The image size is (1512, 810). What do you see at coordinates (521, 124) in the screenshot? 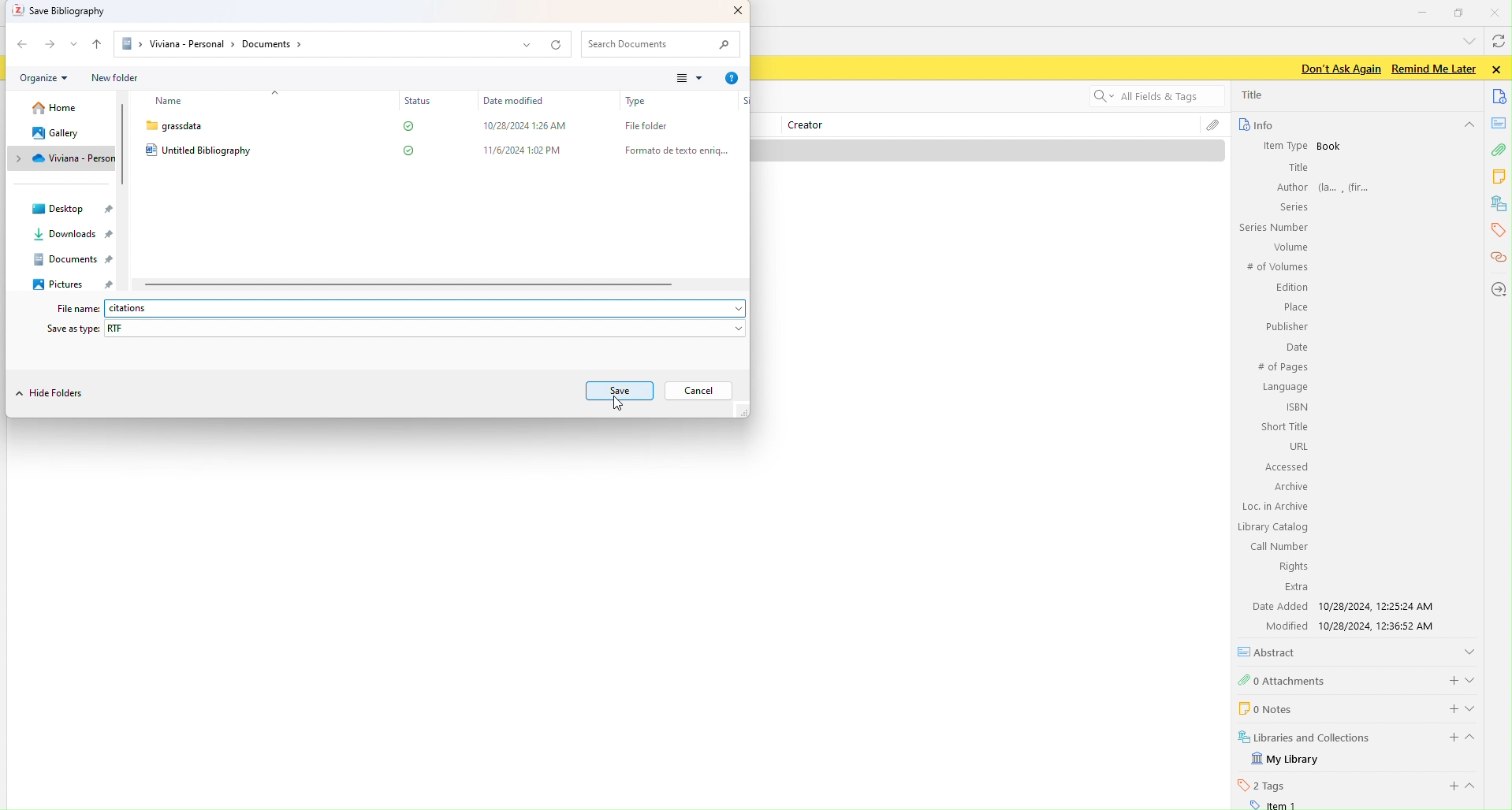
I see `10/28/2024 1:26 AM` at bounding box center [521, 124].